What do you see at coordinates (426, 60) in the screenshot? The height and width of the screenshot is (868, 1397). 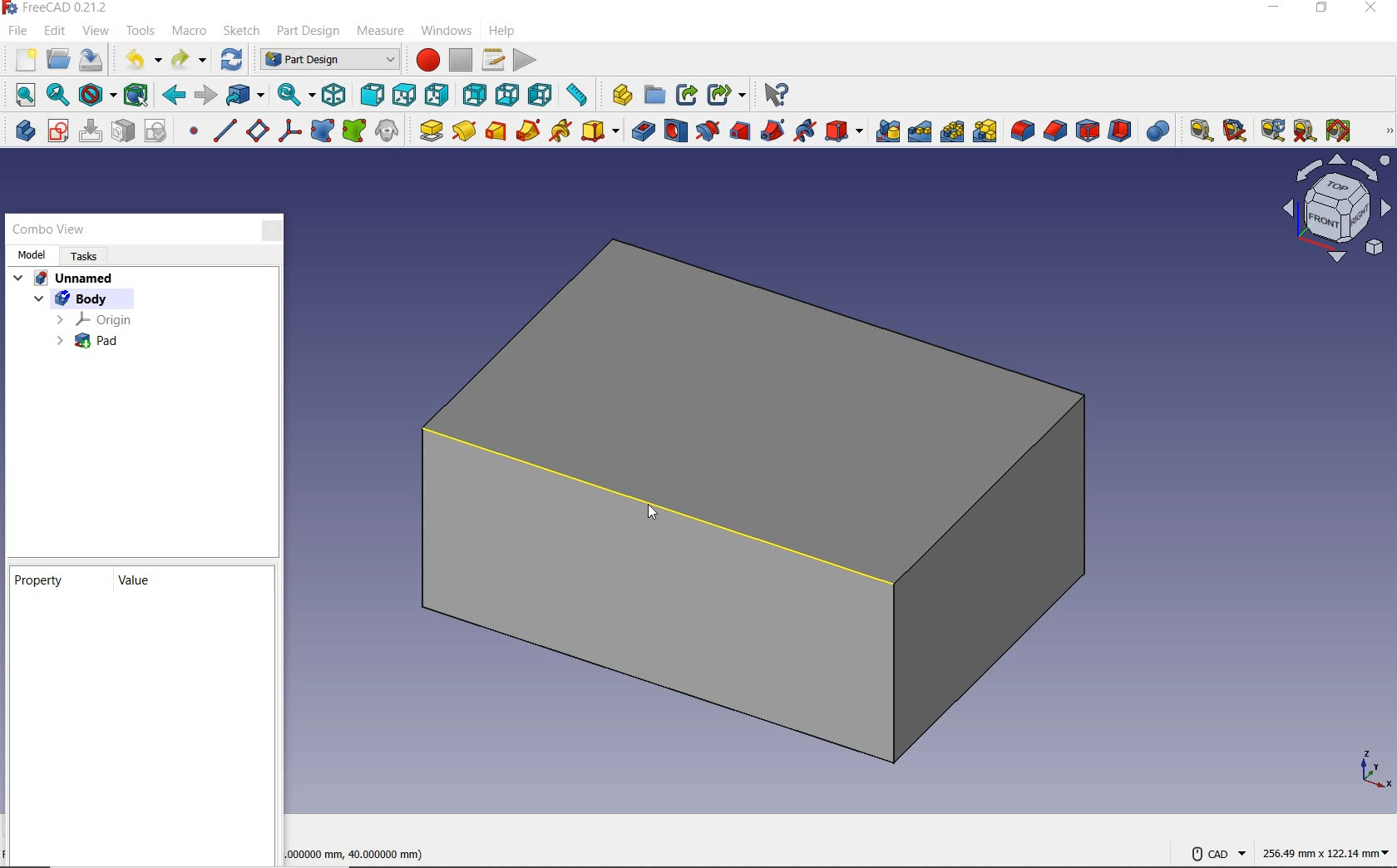 I see `macro recording` at bounding box center [426, 60].